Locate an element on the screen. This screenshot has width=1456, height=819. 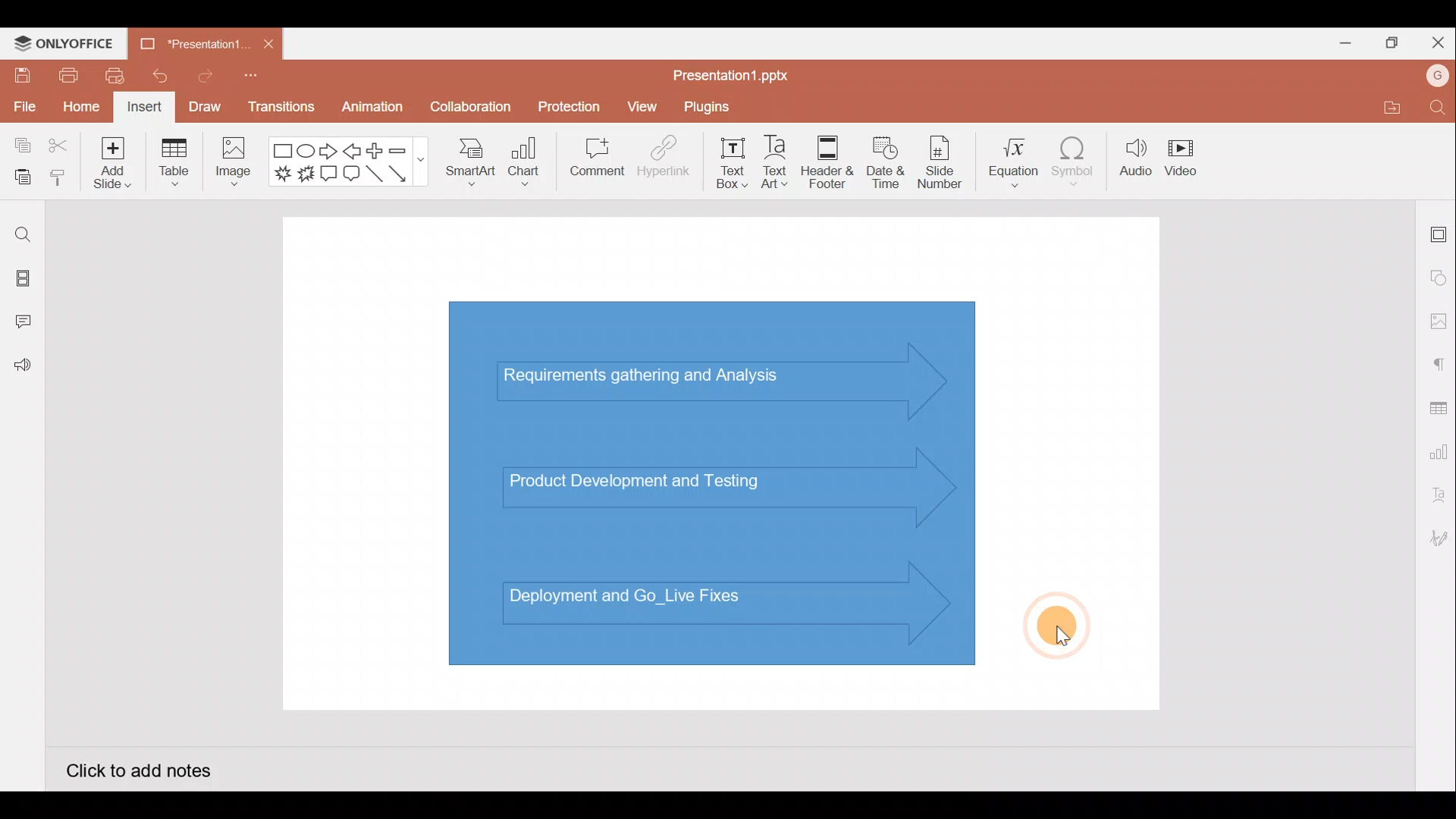
Image settings is located at coordinates (1439, 322).